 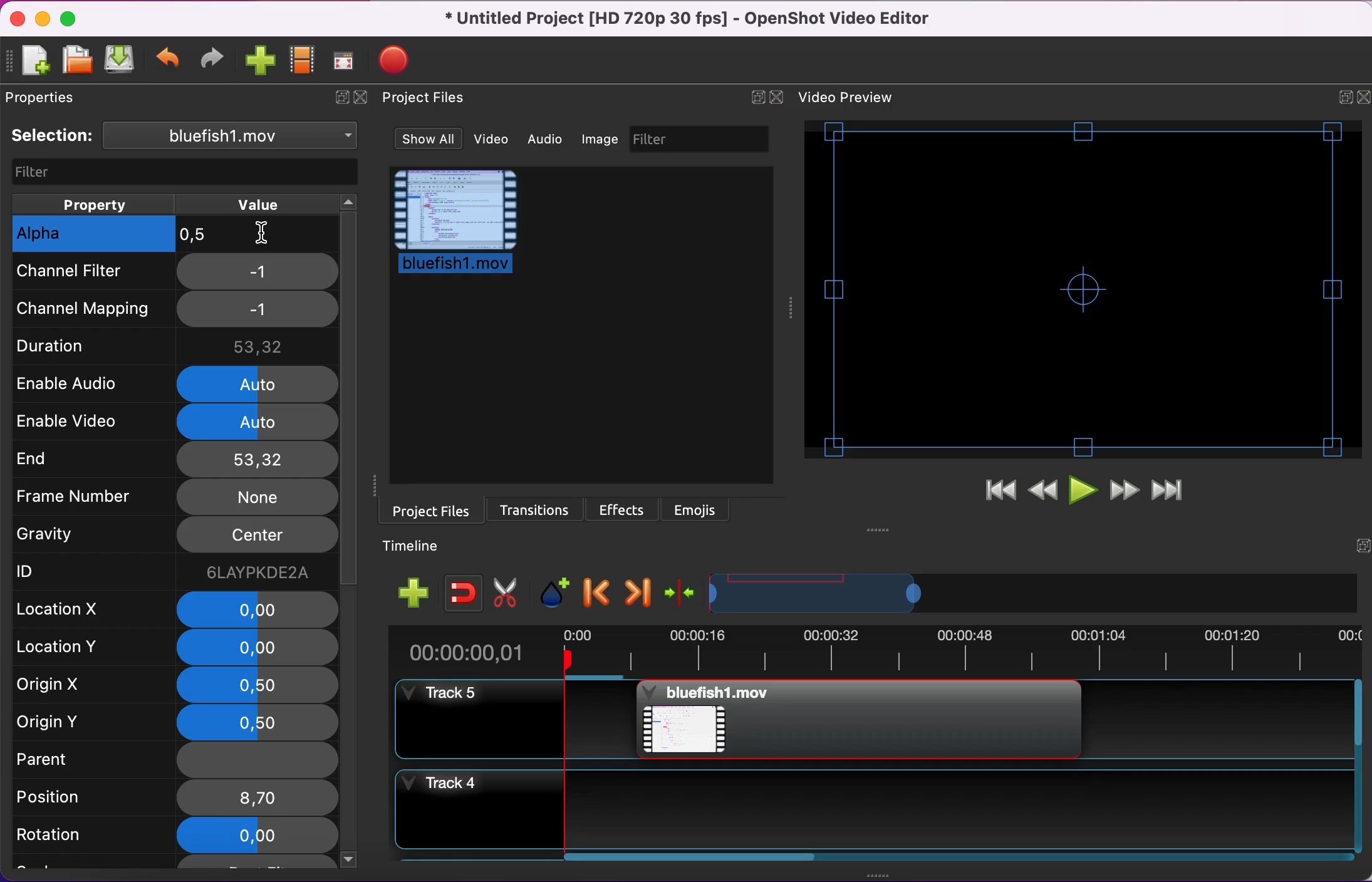 I want to click on open project, so click(x=76, y=65).